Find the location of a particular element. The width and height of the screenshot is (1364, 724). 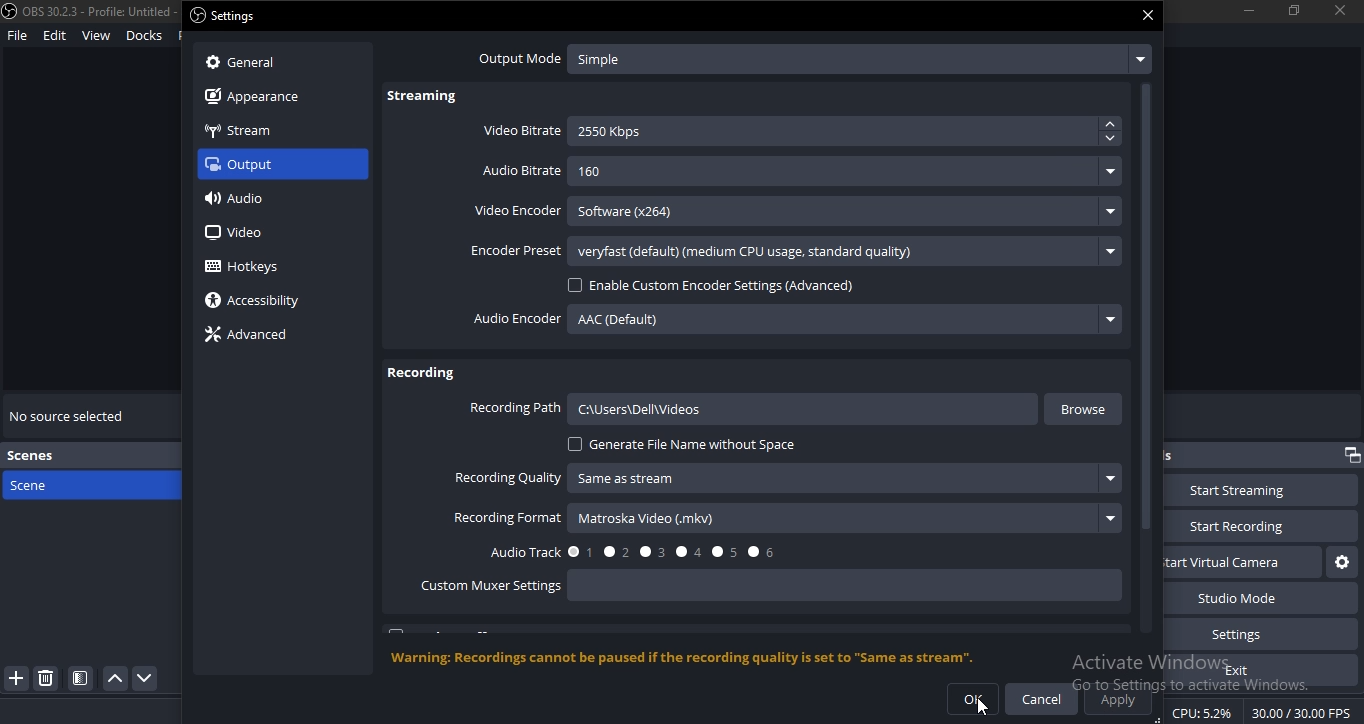

audio is located at coordinates (242, 198).